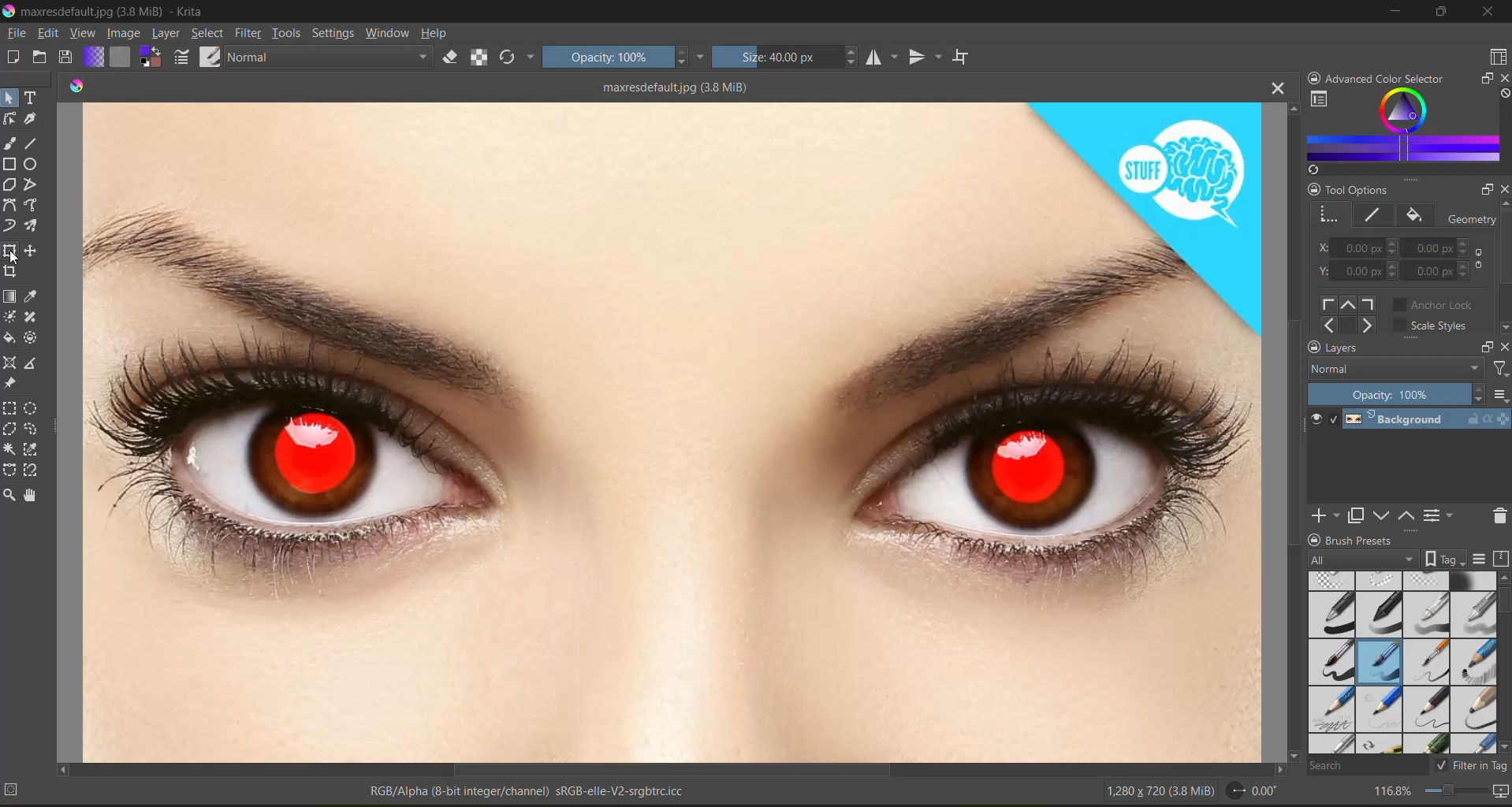 Image resolution: width=1512 pixels, height=807 pixels. What do you see at coordinates (209, 33) in the screenshot?
I see `select` at bounding box center [209, 33].